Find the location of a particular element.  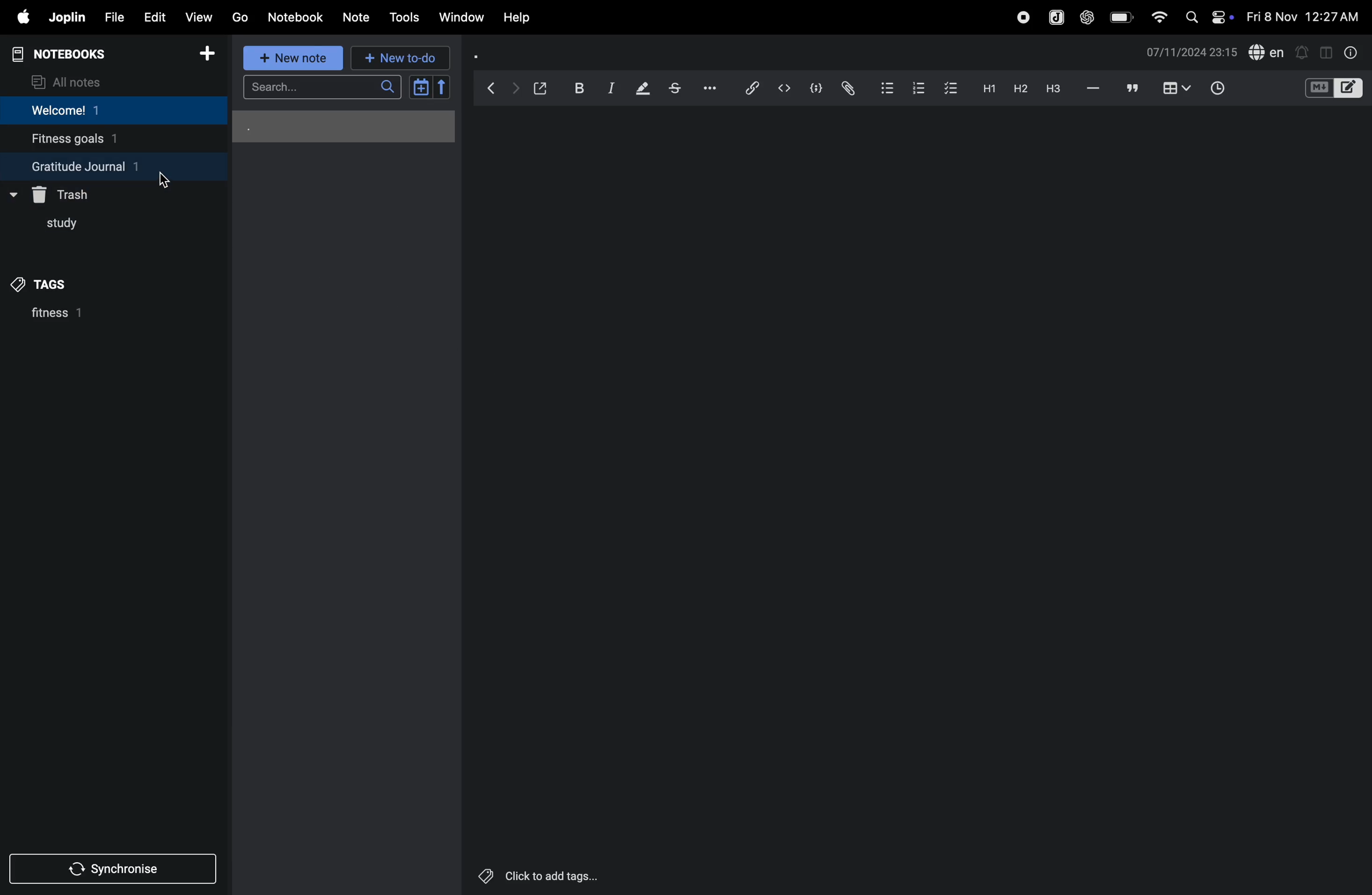

chatgpt is located at coordinates (1086, 18).